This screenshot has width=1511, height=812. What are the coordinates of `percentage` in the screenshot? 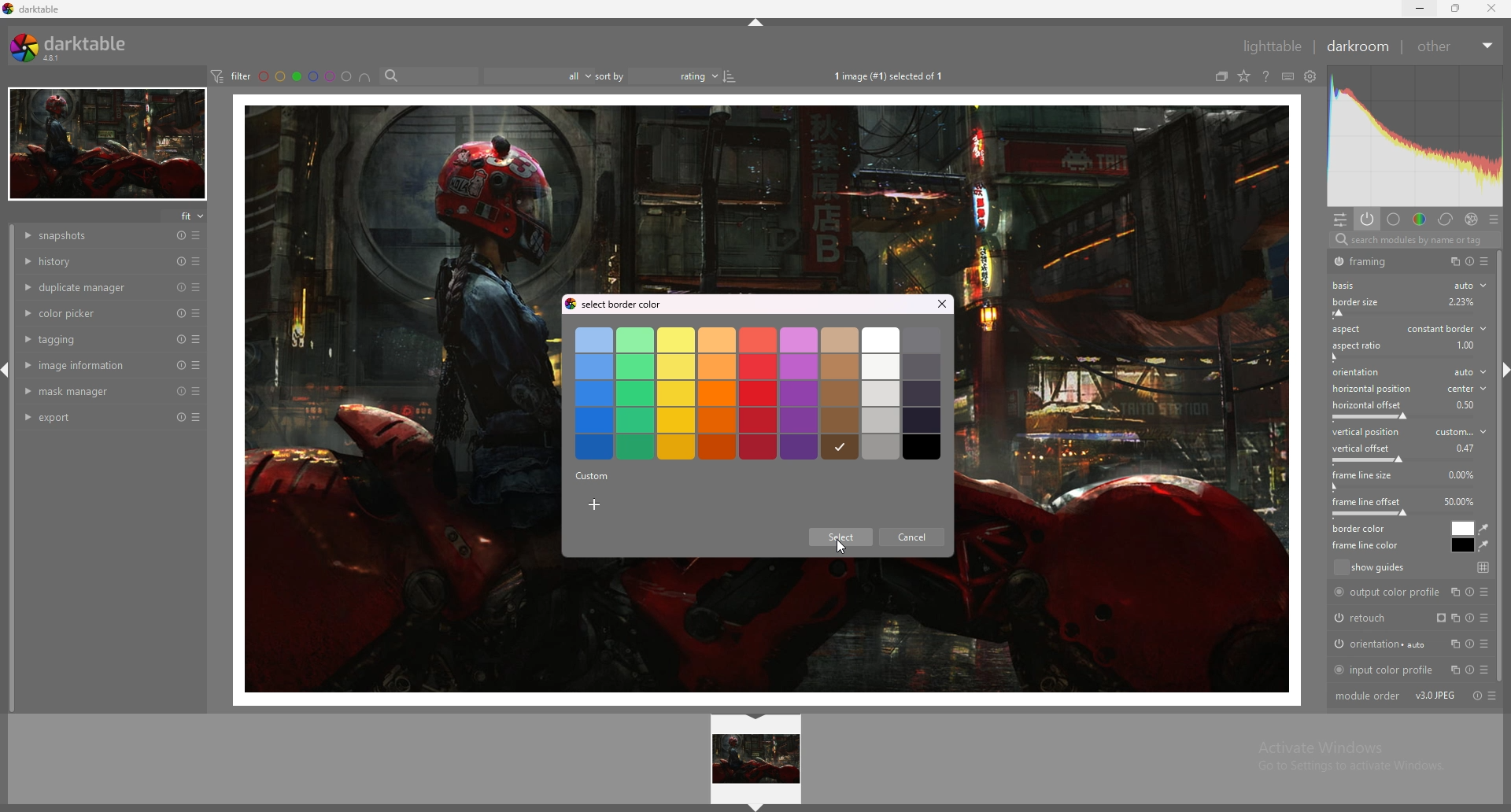 It's located at (1469, 404).